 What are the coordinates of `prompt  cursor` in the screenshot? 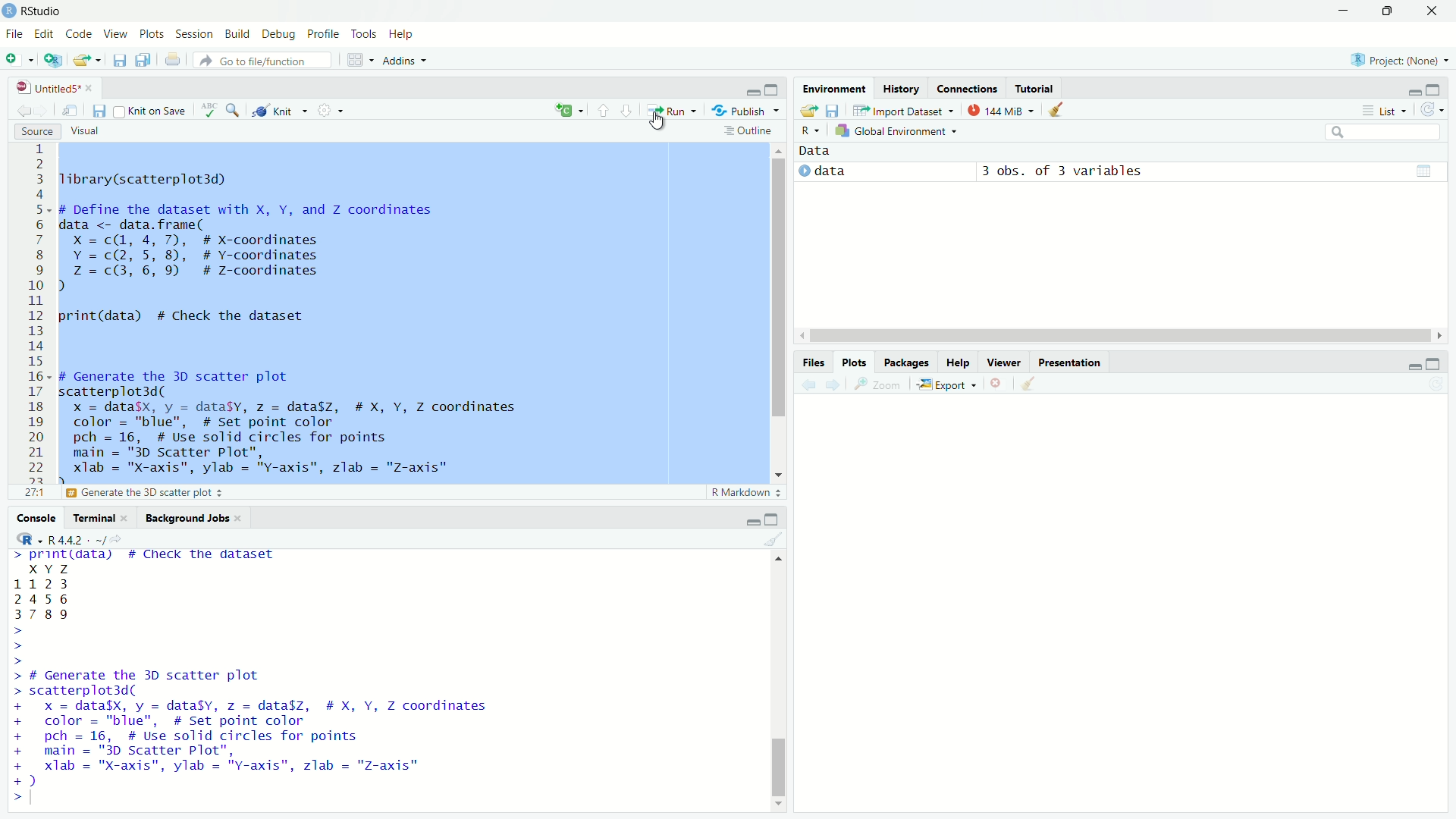 It's located at (12, 800).